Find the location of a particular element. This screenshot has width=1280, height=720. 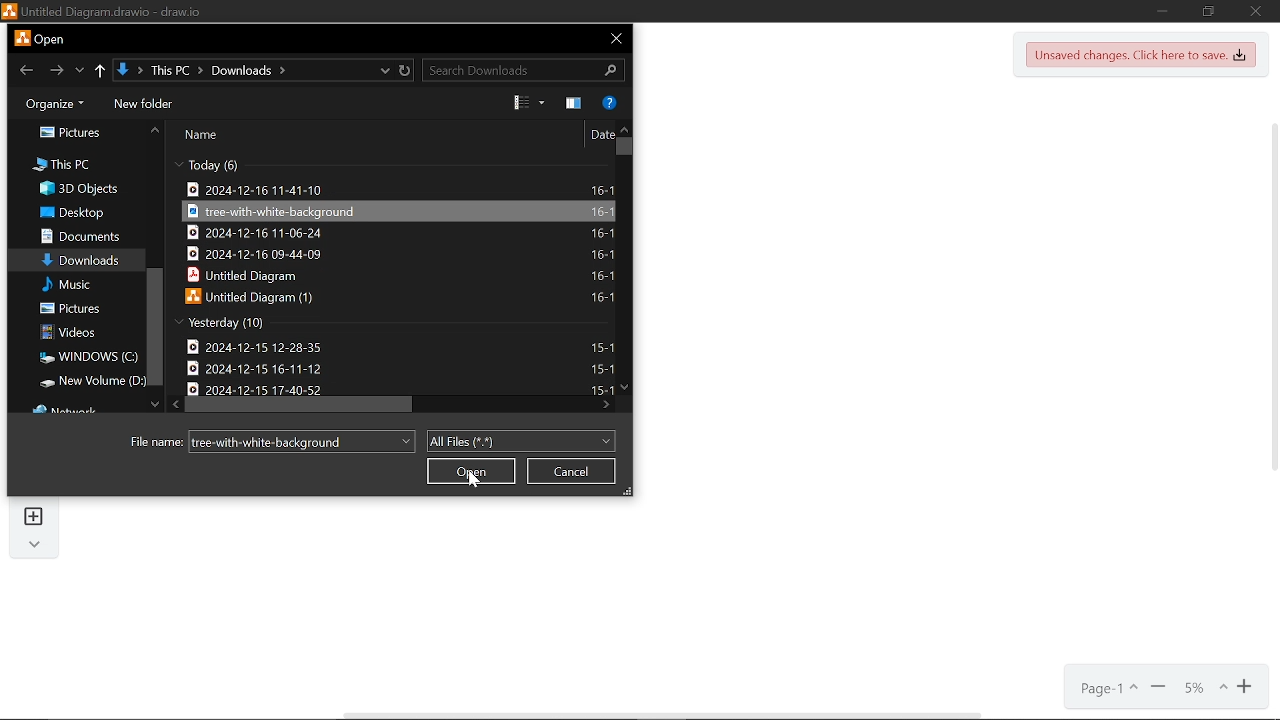

Move up in files is located at coordinates (624, 130).